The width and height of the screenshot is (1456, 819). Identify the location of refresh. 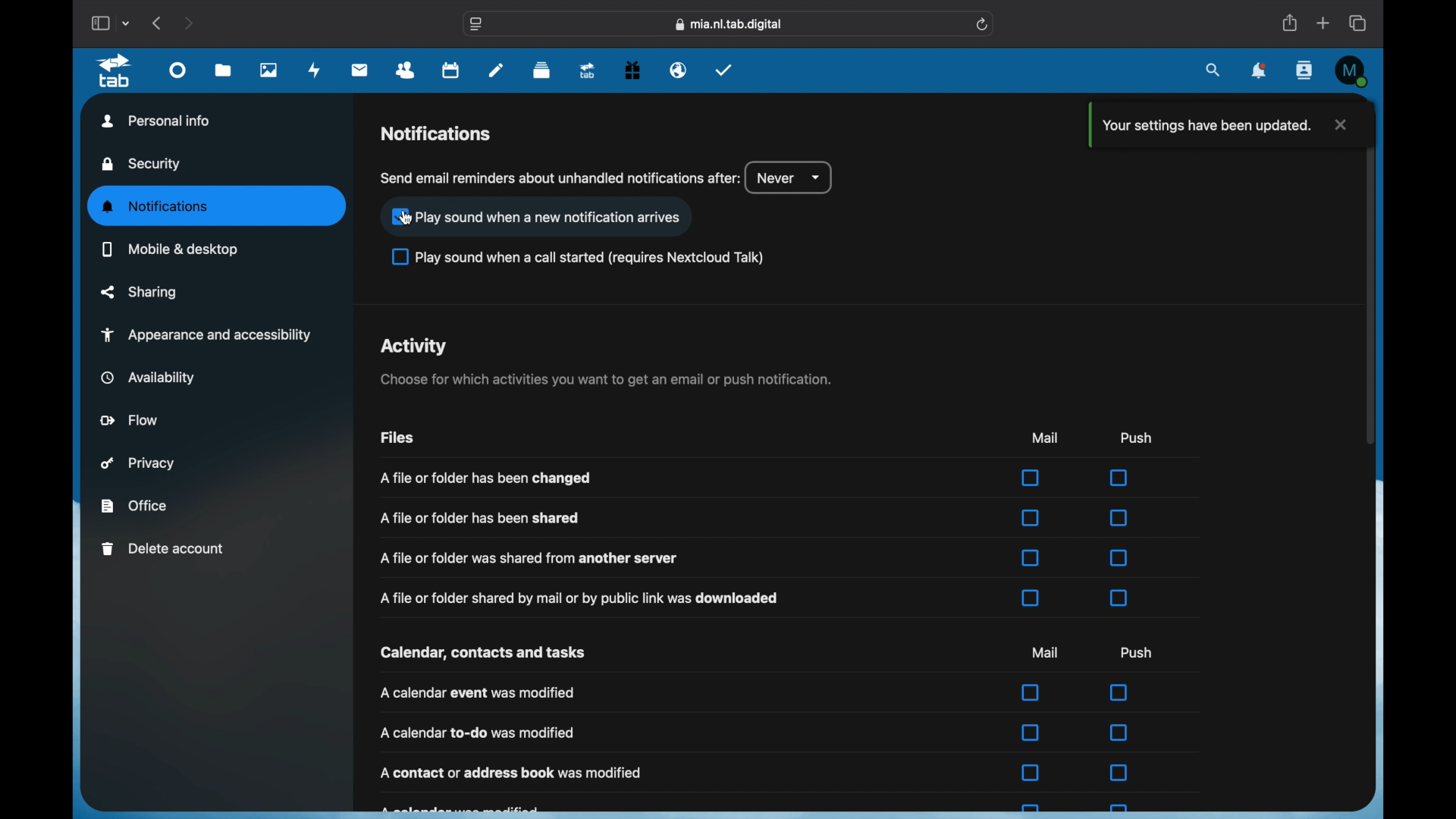
(983, 25).